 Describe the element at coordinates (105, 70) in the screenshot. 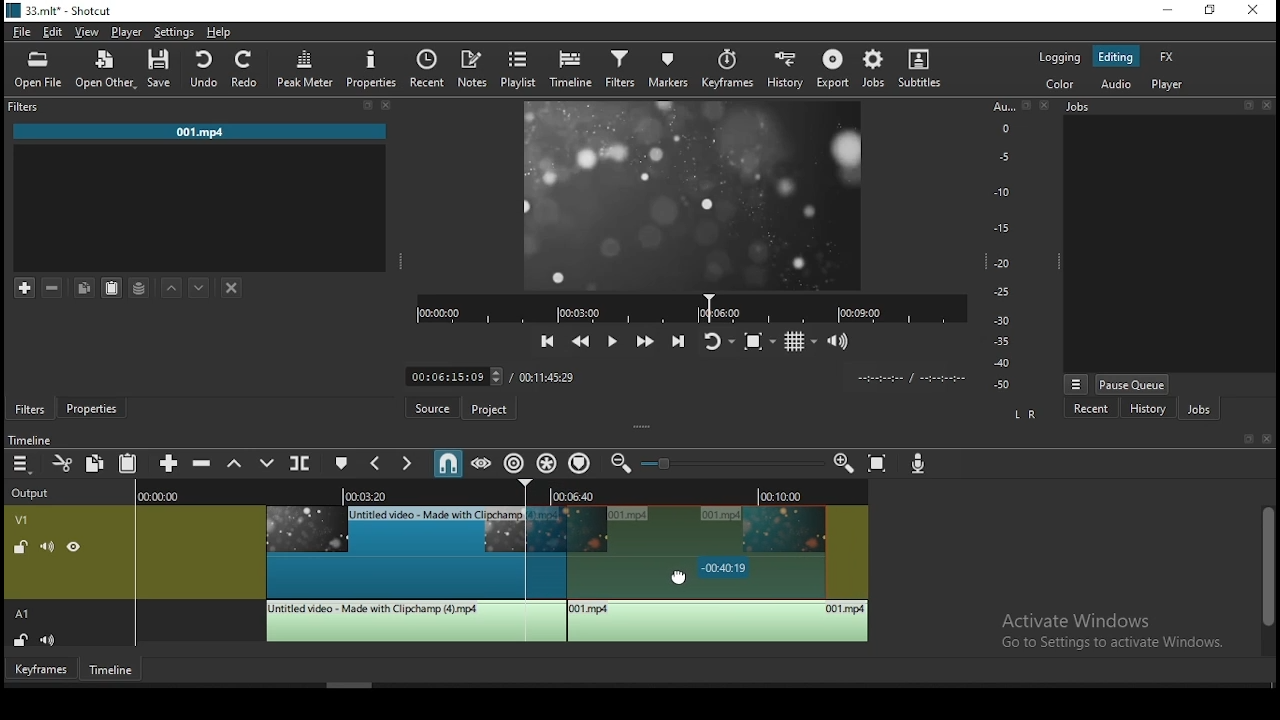

I see `open other` at that location.